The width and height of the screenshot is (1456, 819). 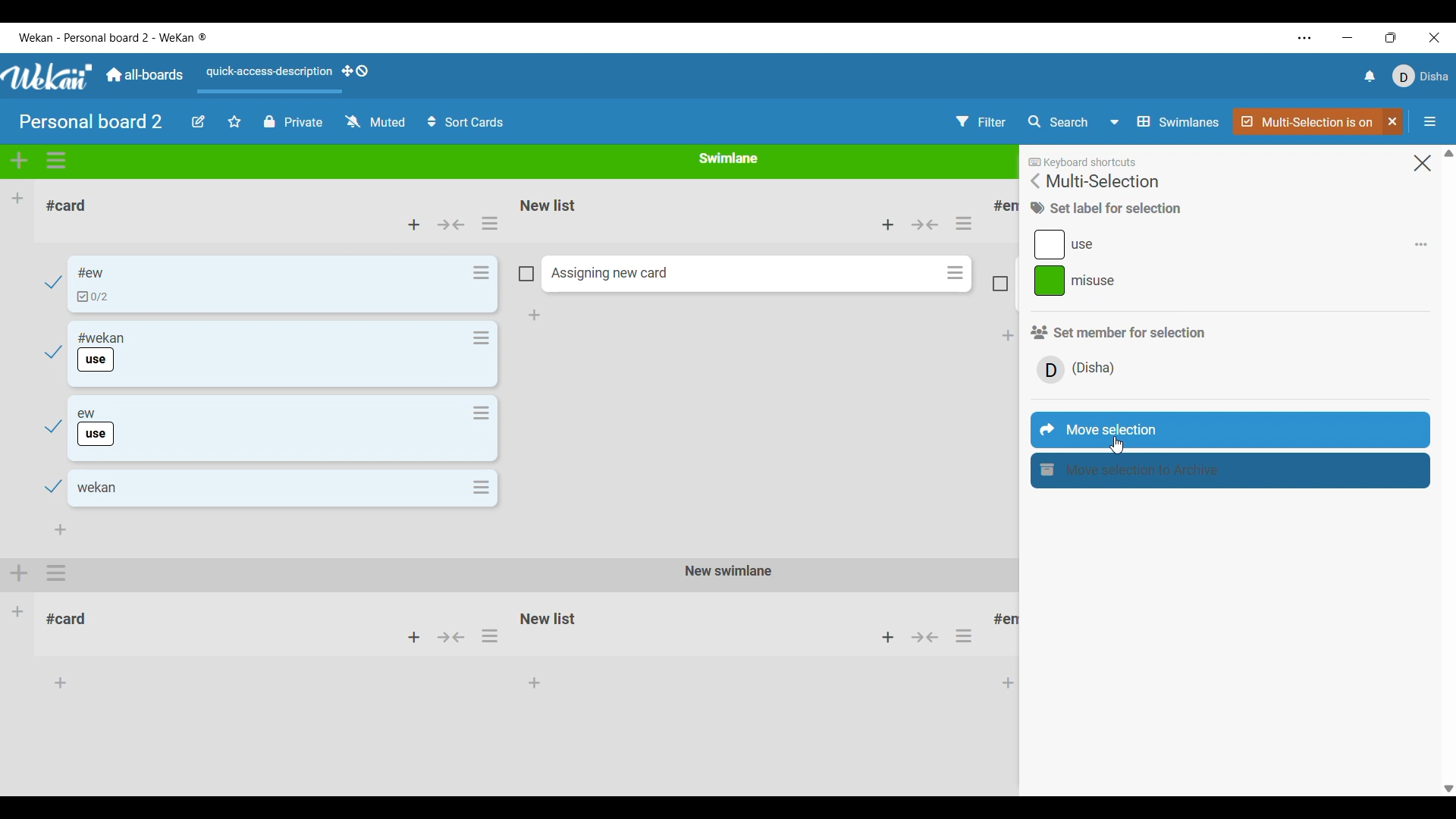 I want to click on List title, so click(x=1007, y=206).